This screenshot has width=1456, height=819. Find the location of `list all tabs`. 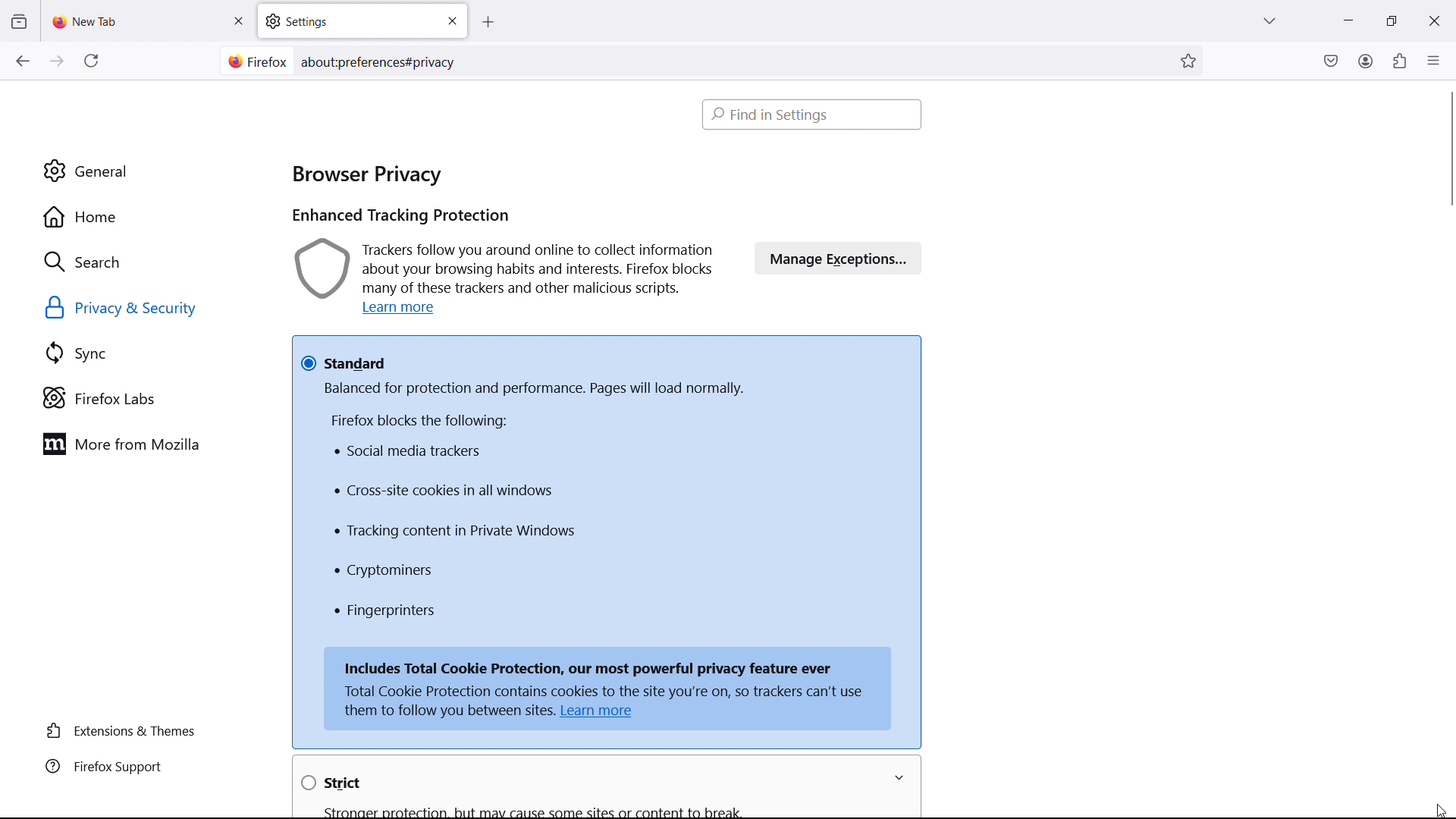

list all tabs is located at coordinates (1269, 19).